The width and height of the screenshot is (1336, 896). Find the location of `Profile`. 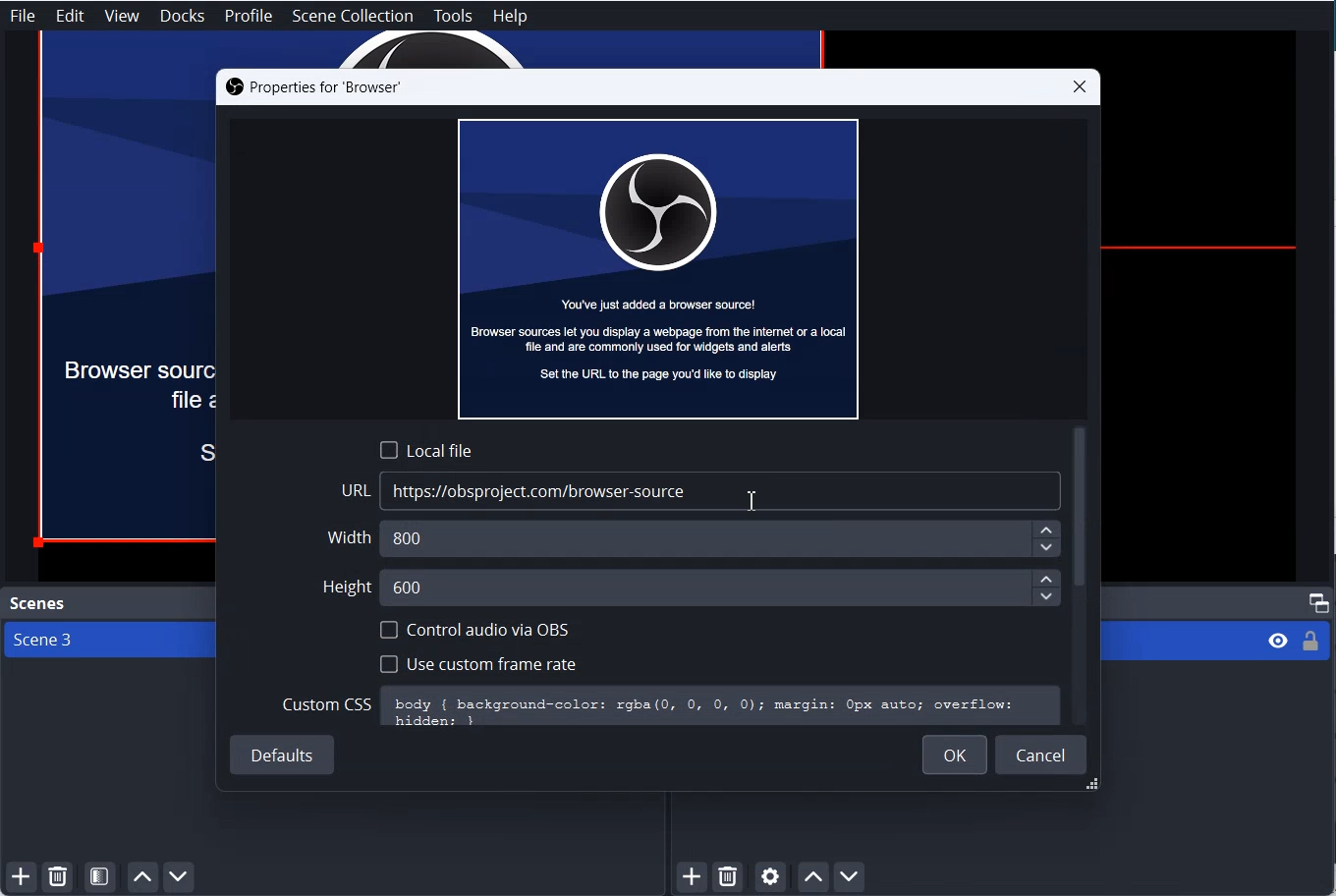

Profile is located at coordinates (250, 17).